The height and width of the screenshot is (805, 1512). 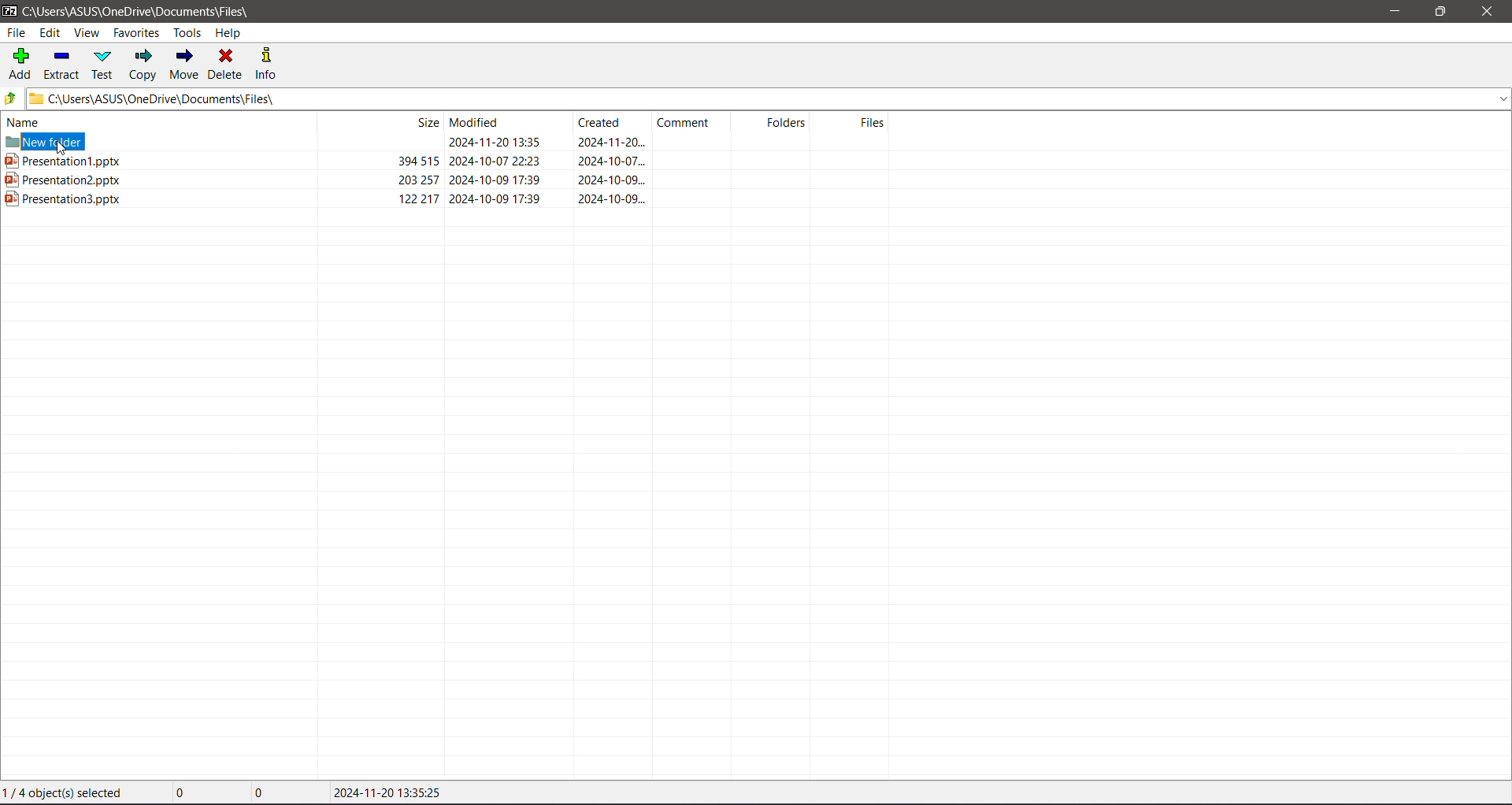 What do you see at coordinates (184, 62) in the screenshot?
I see `Move` at bounding box center [184, 62].